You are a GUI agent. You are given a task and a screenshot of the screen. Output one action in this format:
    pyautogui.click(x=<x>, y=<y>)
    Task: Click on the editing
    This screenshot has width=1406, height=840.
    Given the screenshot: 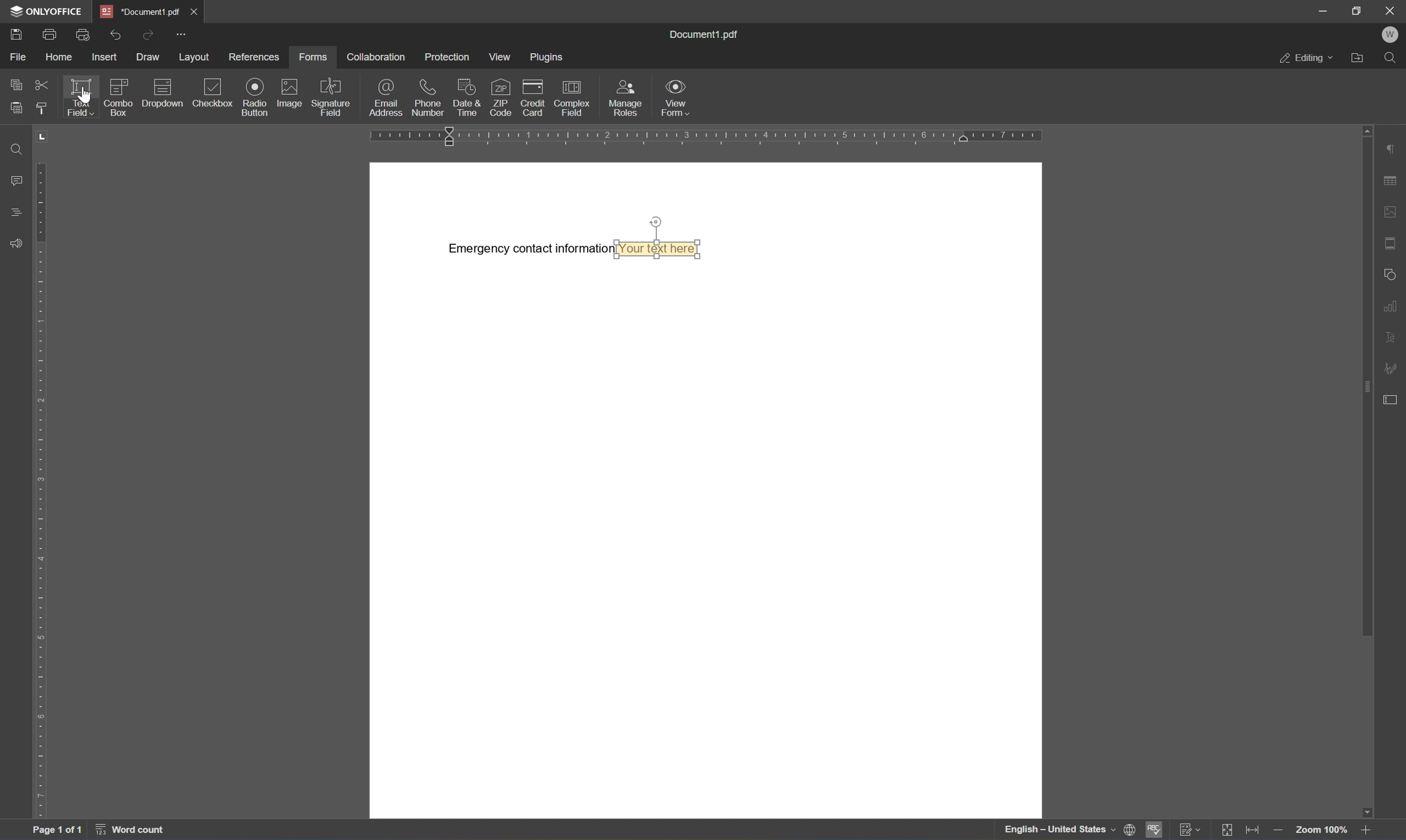 What is the action you would take?
    pyautogui.click(x=1304, y=59)
    